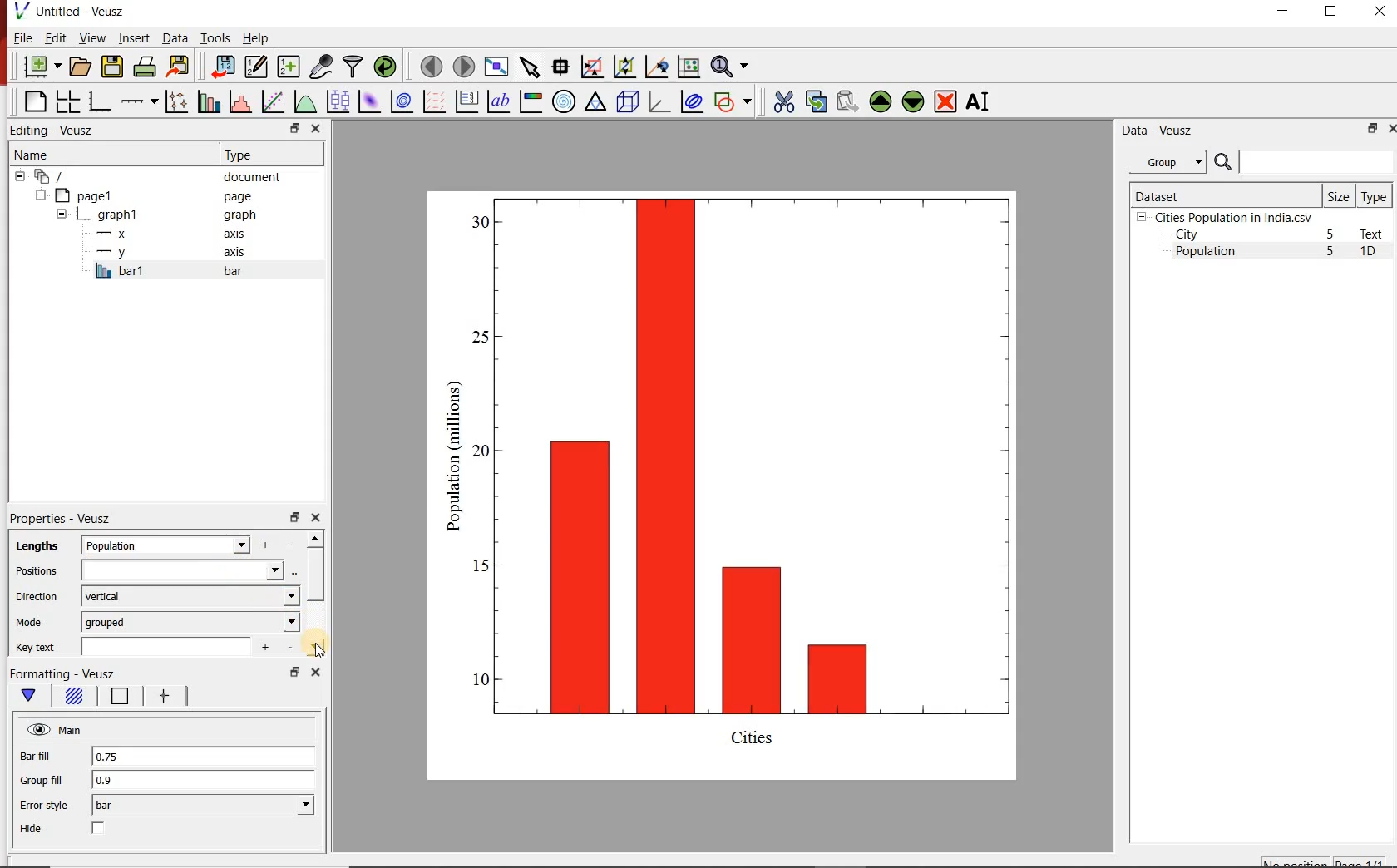 This screenshot has height=868, width=1397. What do you see at coordinates (71, 12) in the screenshot?
I see `Untitled-Veusz` at bounding box center [71, 12].